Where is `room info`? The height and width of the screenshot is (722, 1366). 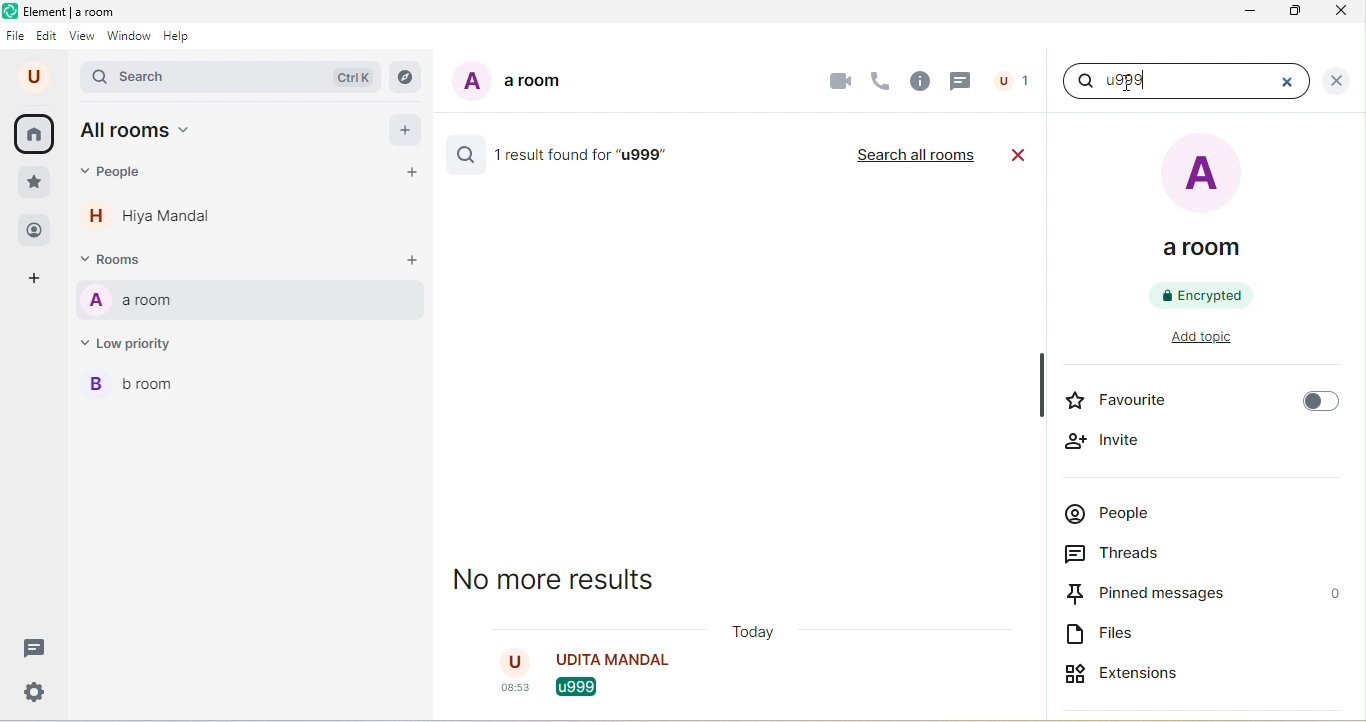
room info is located at coordinates (919, 82).